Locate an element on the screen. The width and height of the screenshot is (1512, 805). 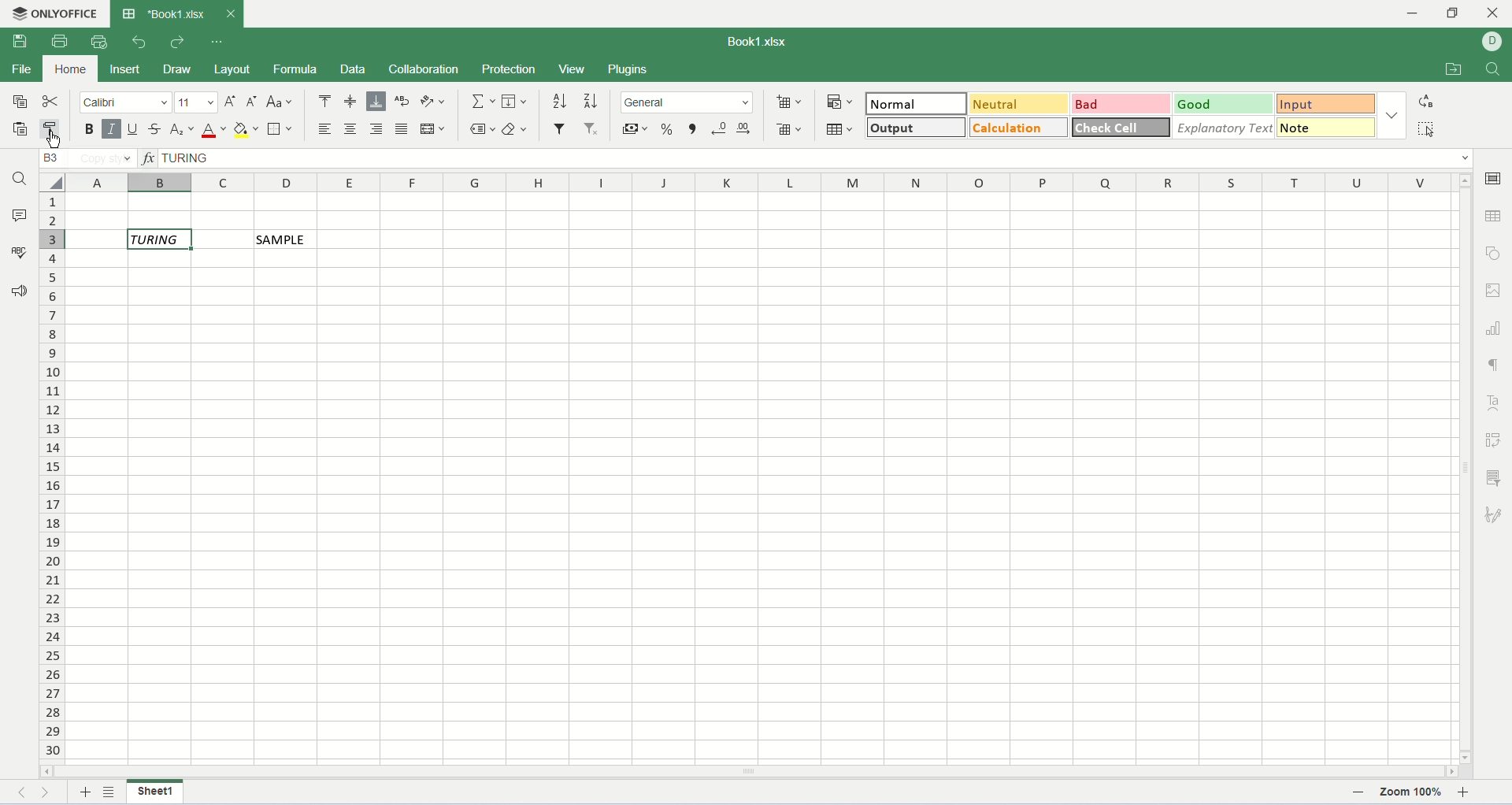
justified is located at coordinates (402, 128).